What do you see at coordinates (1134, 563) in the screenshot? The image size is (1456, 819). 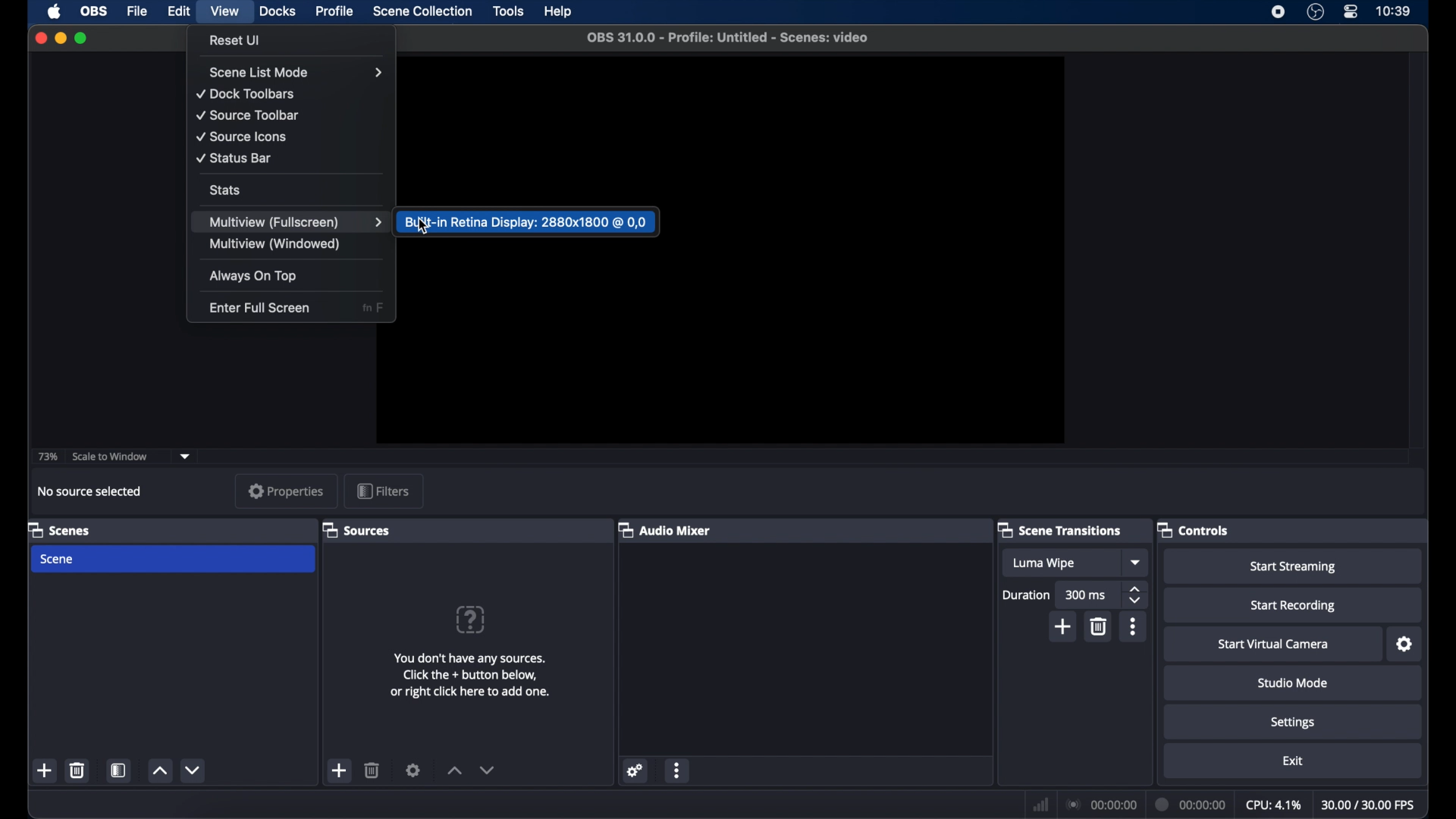 I see `dropdown` at bounding box center [1134, 563].